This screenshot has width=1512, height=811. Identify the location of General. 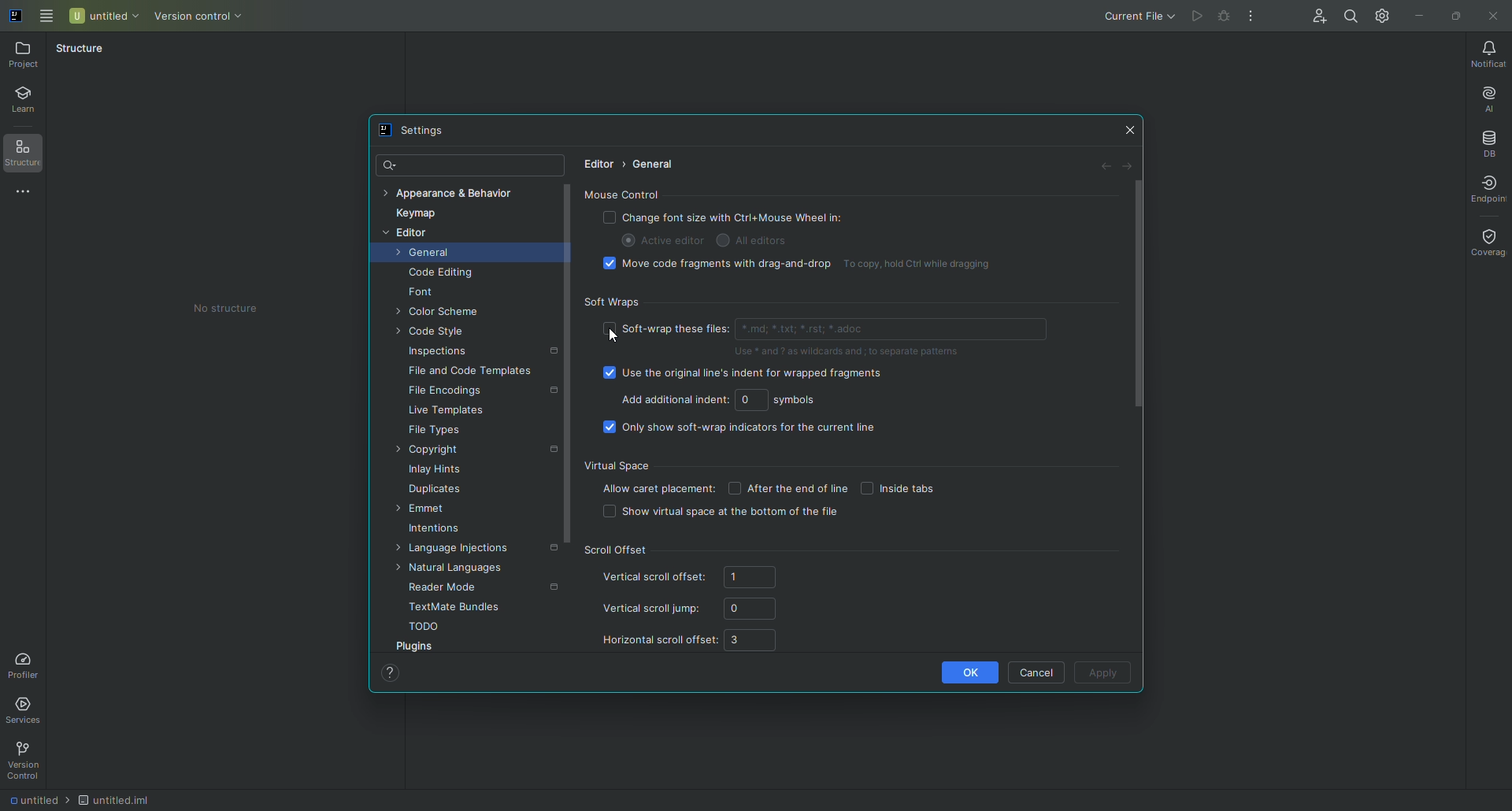
(657, 165).